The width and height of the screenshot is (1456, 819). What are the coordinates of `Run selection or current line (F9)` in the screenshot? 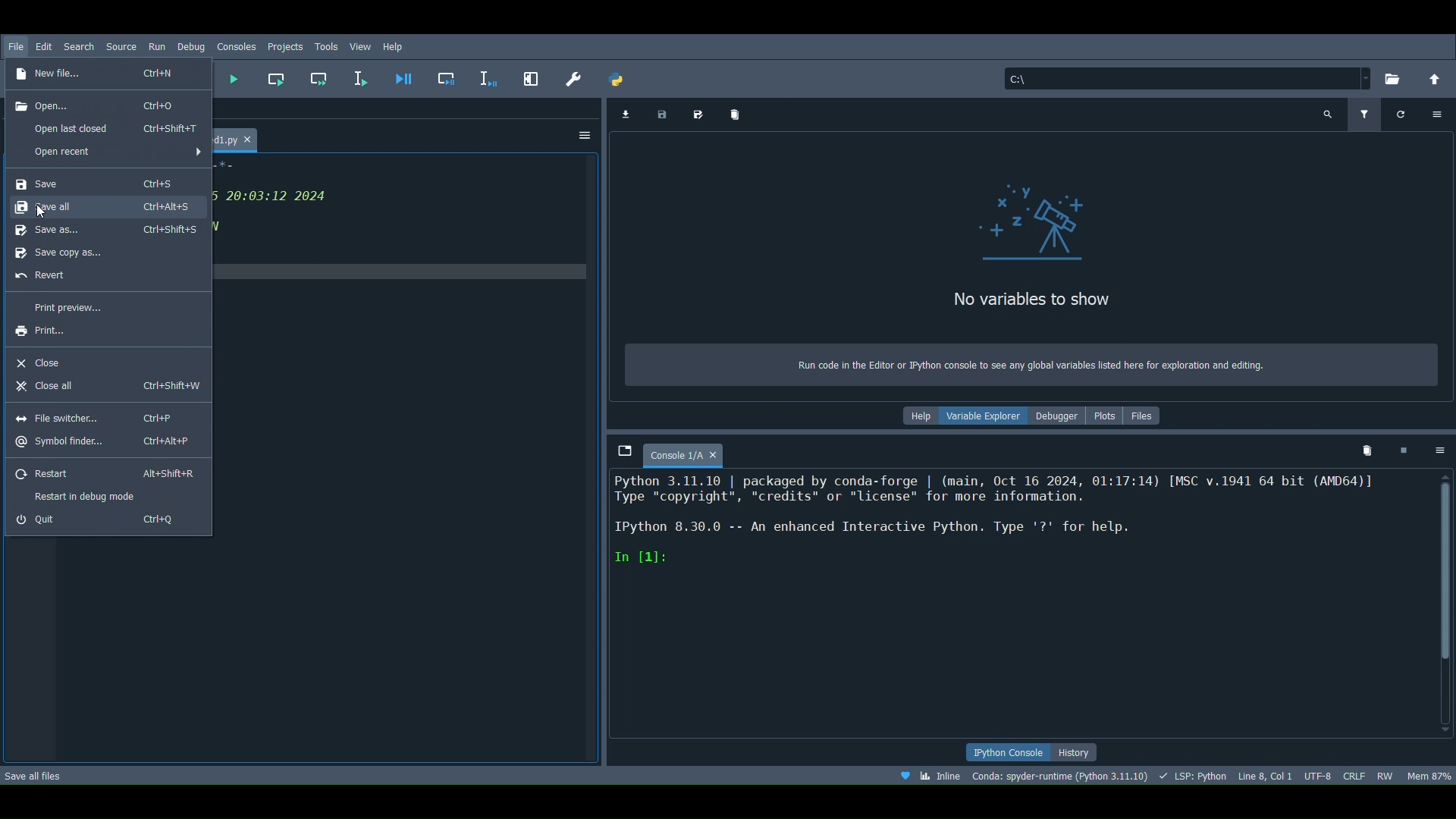 It's located at (365, 77).